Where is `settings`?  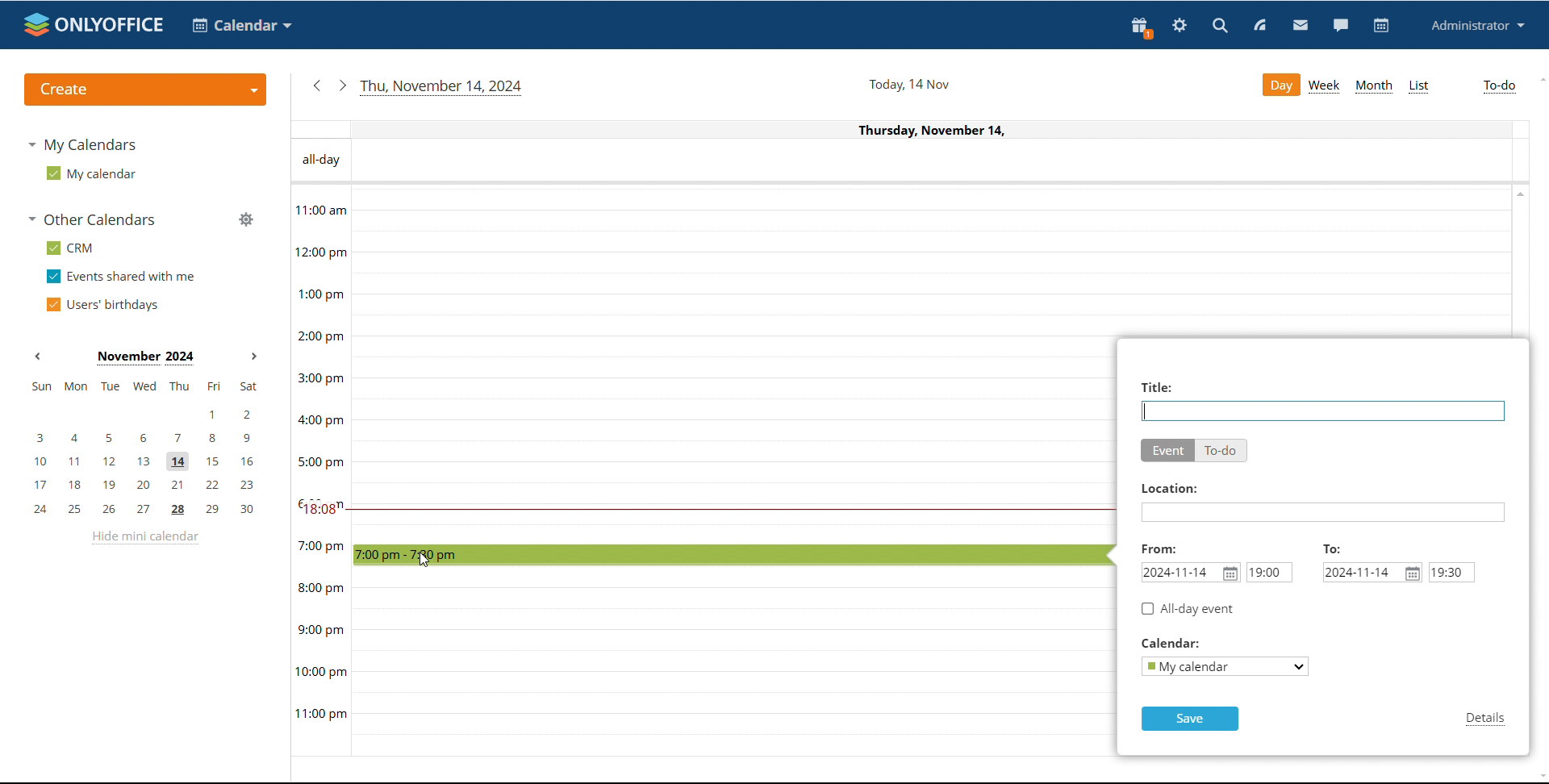
settings is located at coordinates (1179, 27).